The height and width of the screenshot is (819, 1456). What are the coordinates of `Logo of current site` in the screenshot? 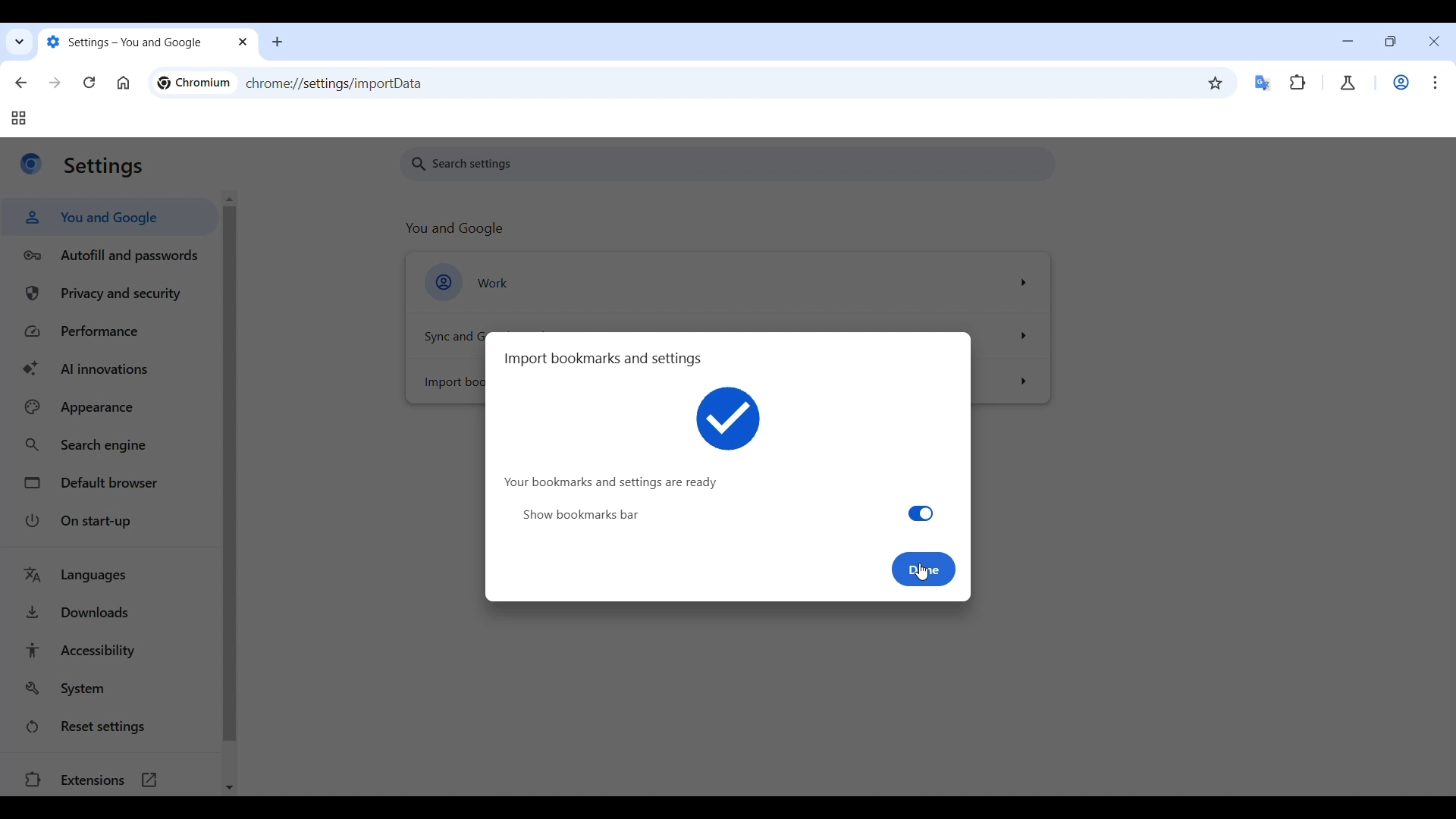 It's located at (31, 163).